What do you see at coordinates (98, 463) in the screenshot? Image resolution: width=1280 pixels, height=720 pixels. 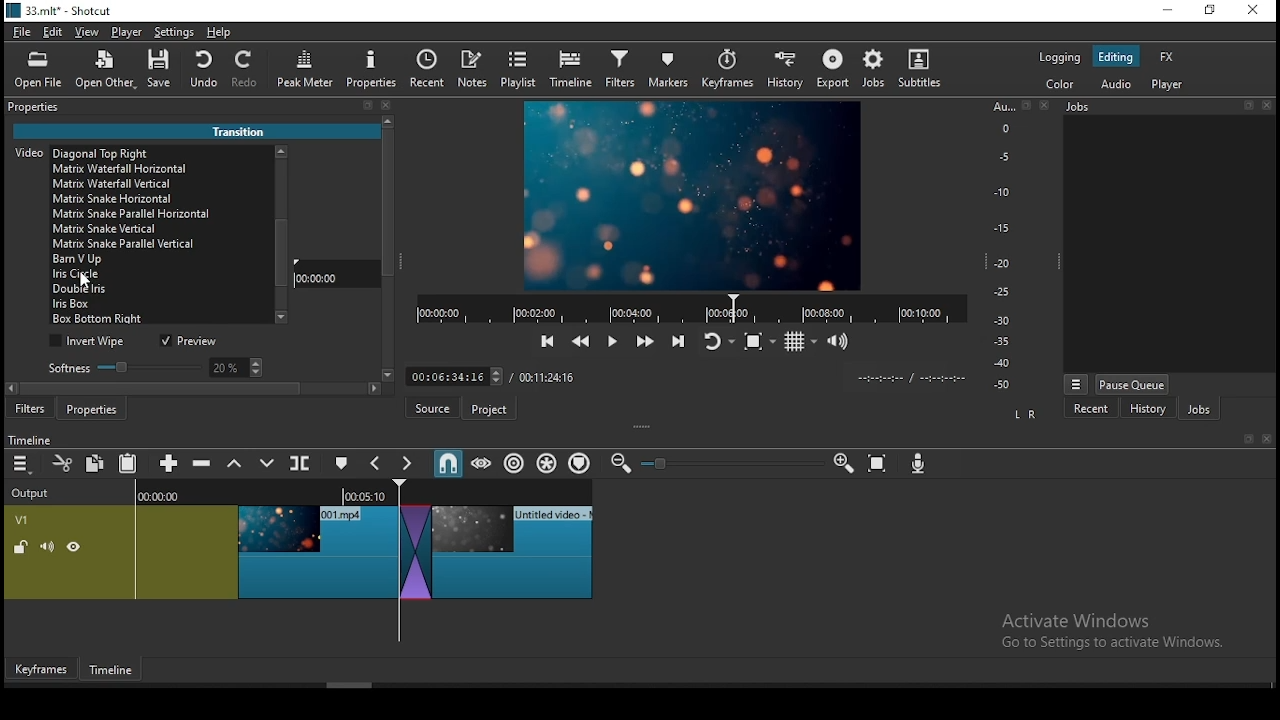 I see `copy` at bounding box center [98, 463].